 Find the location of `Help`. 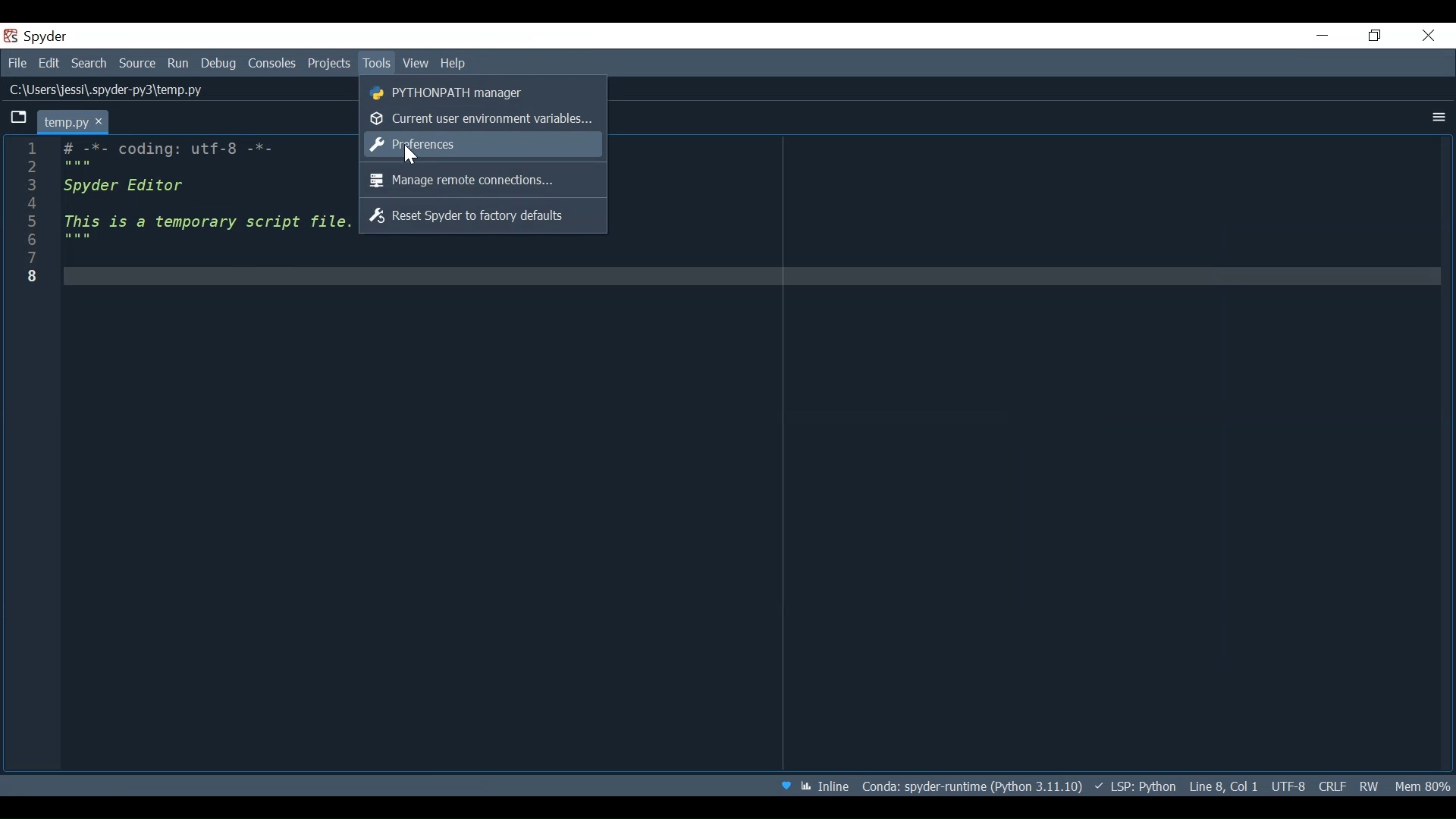

Help is located at coordinates (460, 63).